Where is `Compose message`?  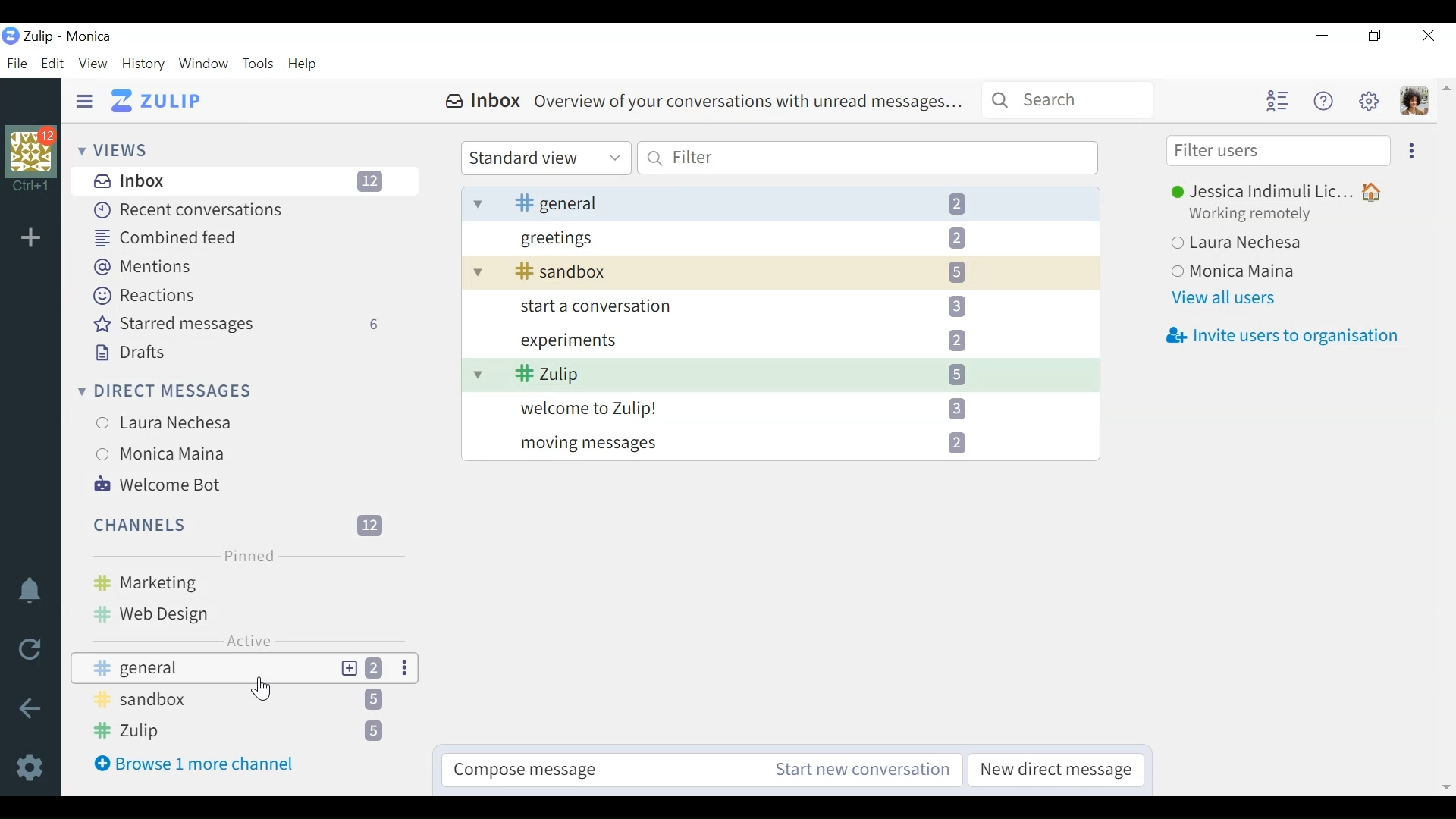
Compose message is located at coordinates (606, 770).